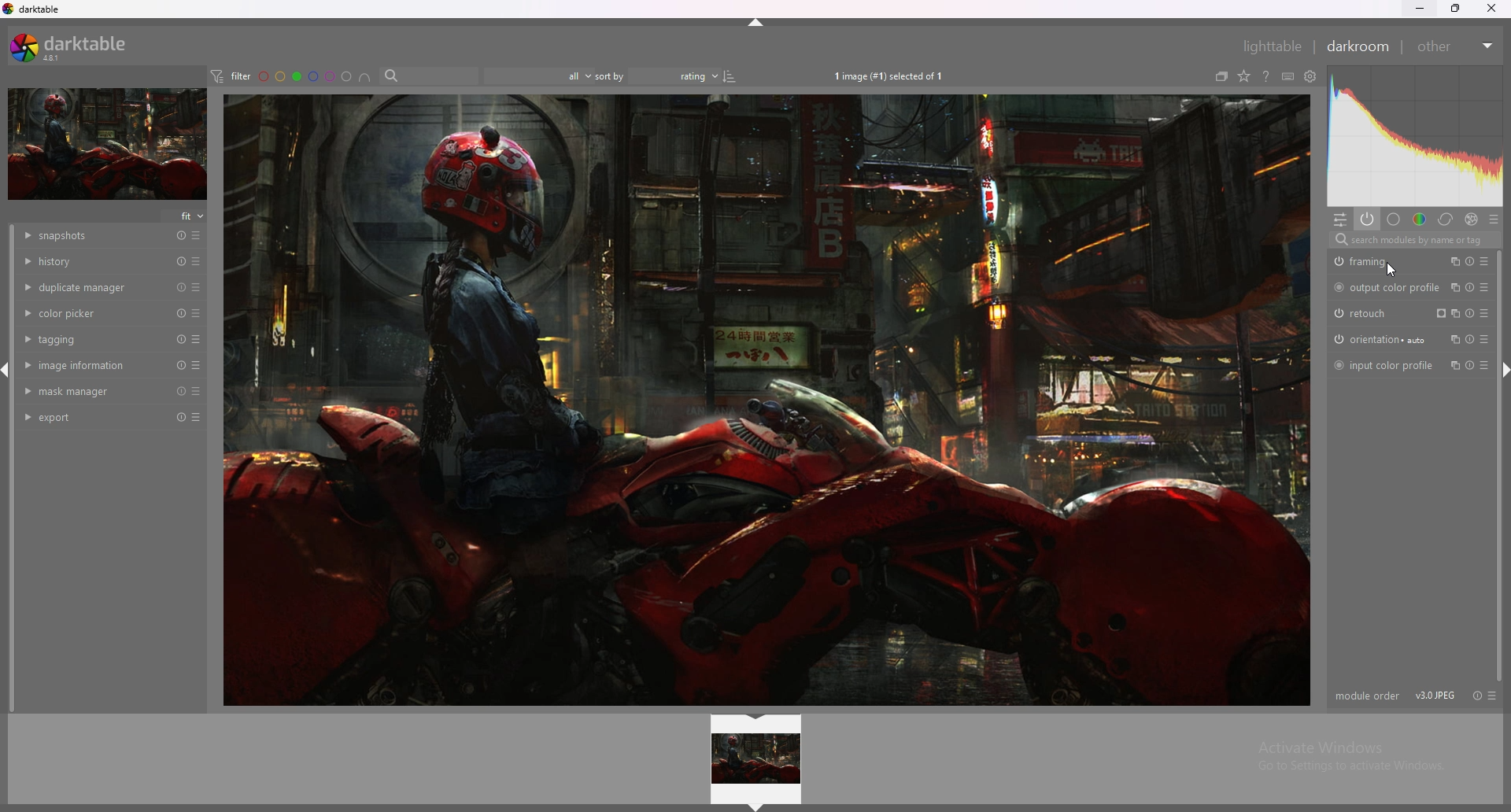 The image size is (1511, 812). Describe the element at coordinates (1489, 366) in the screenshot. I see `presets` at that location.